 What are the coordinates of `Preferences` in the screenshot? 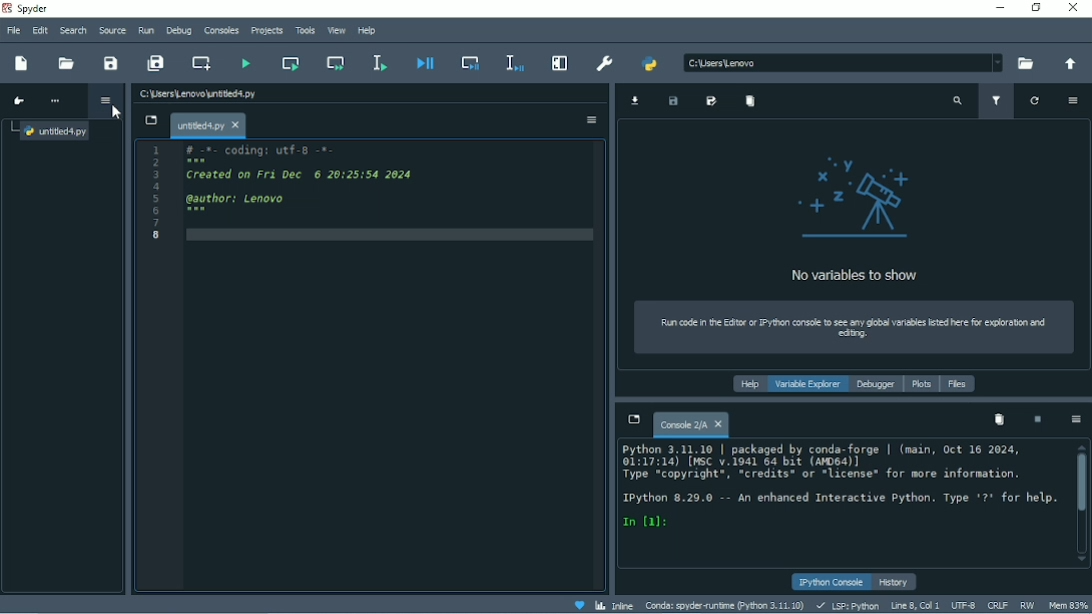 It's located at (604, 63).